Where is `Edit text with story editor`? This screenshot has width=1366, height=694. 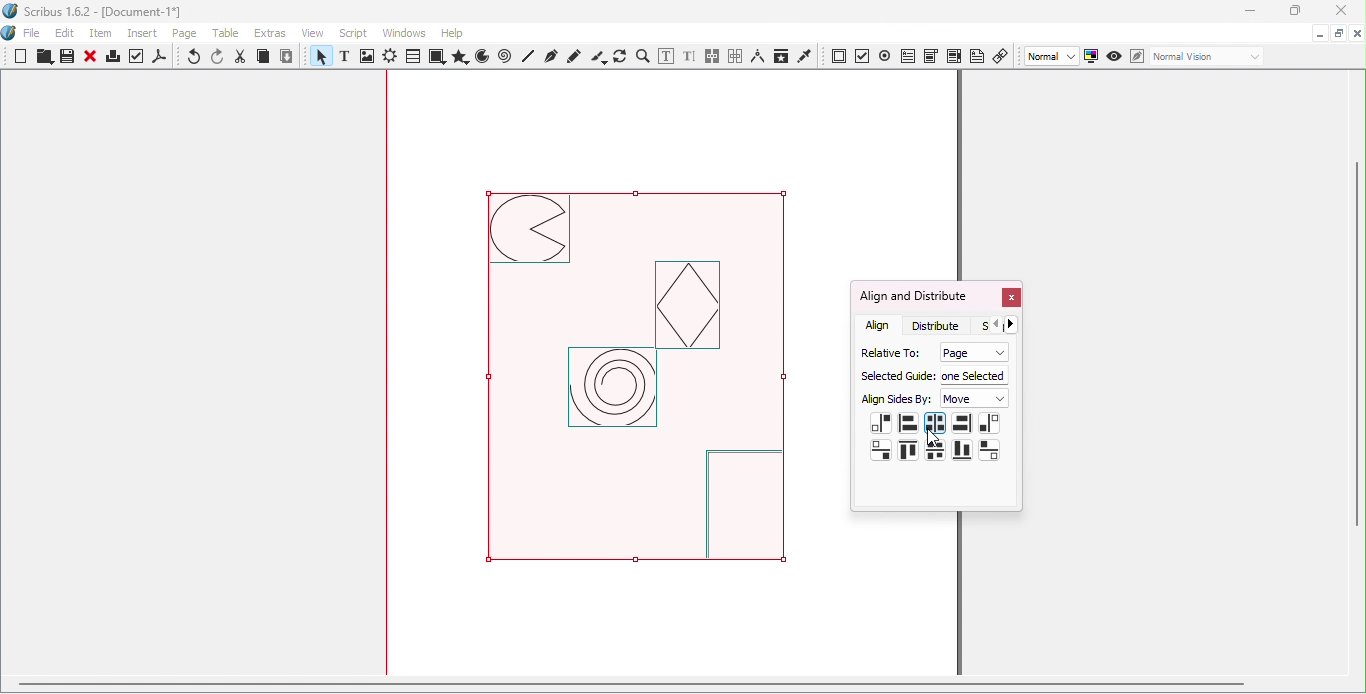
Edit text with story editor is located at coordinates (689, 57).